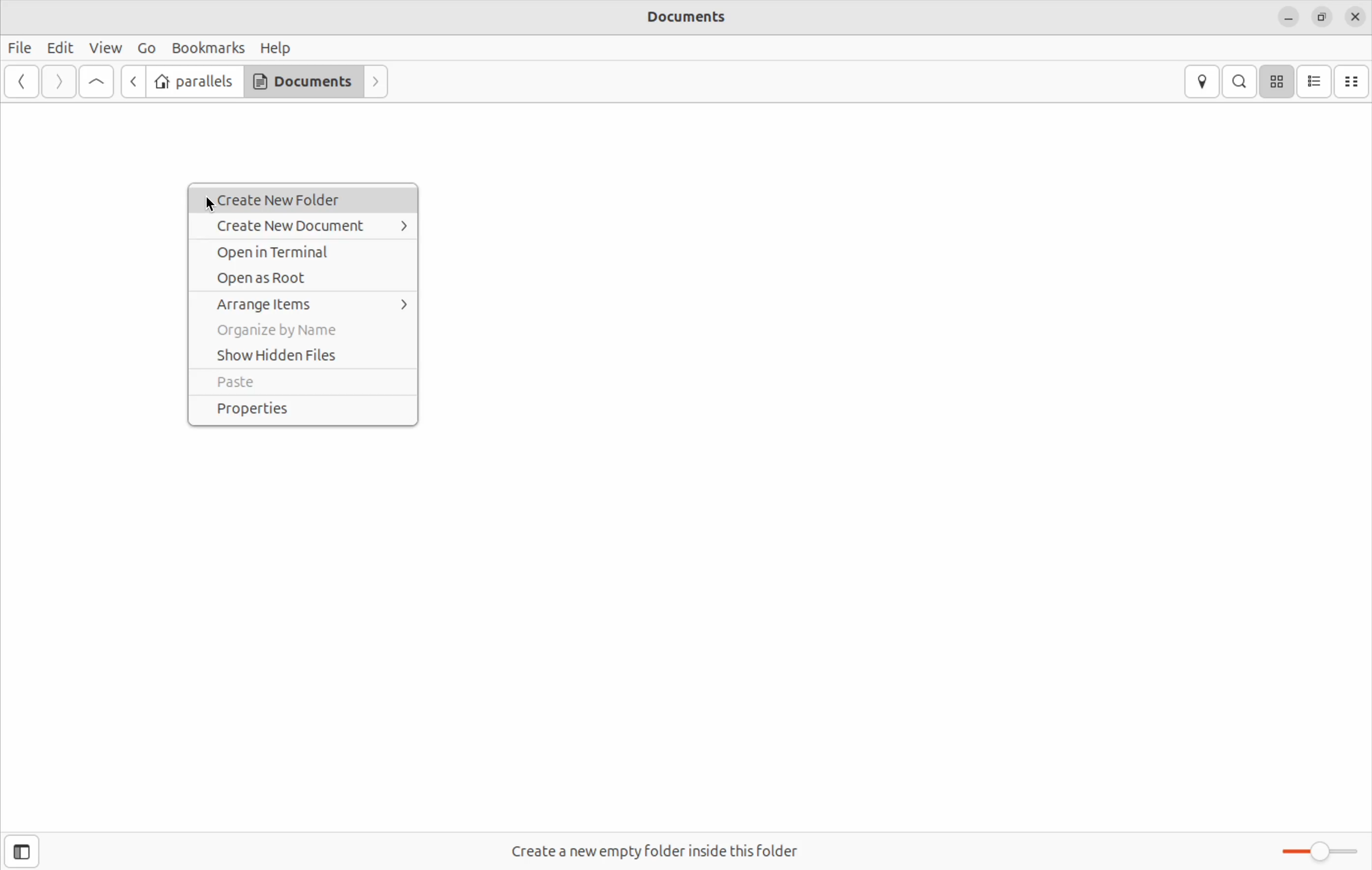 This screenshot has height=870, width=1372. What do you see at coordinates (193, 80) in the screenshot?
I see `parallels` at bounding box center [193, 80].